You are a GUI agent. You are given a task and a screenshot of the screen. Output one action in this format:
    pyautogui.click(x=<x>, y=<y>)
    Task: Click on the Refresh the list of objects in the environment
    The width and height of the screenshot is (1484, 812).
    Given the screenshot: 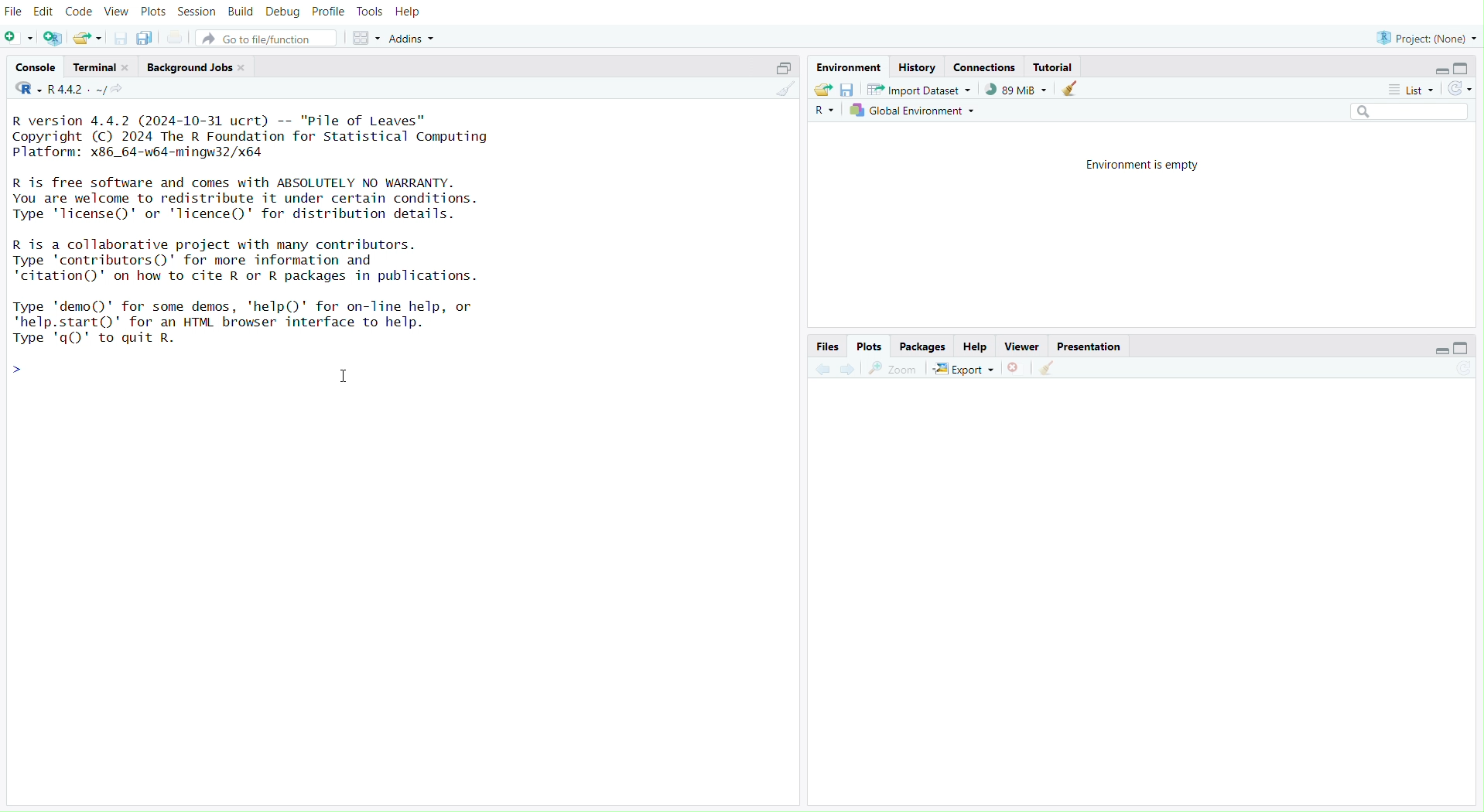 What is the action you would take?
    pyautogui.click(x=1459, y=87)
    